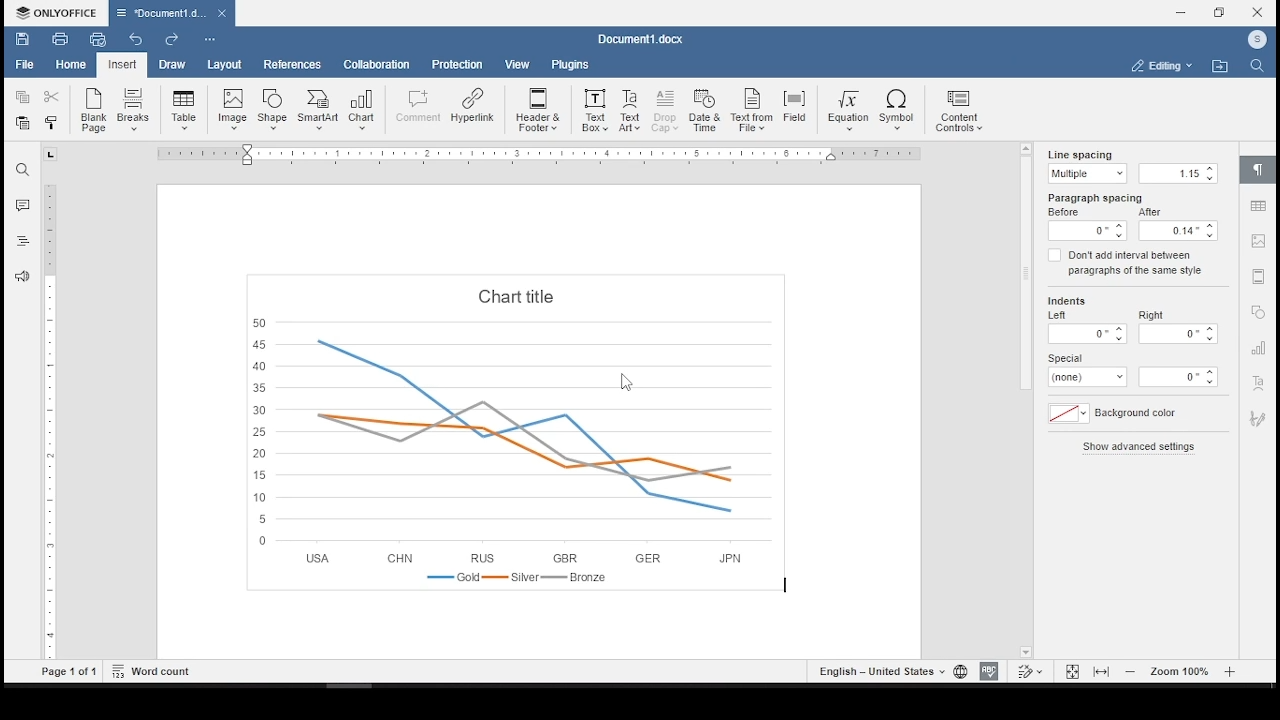 Image resolution: width=1280 pixels, height=720 pixels. Describe the element at coordinates (961, 111) in the screenshot. I see `content controls` at that location.